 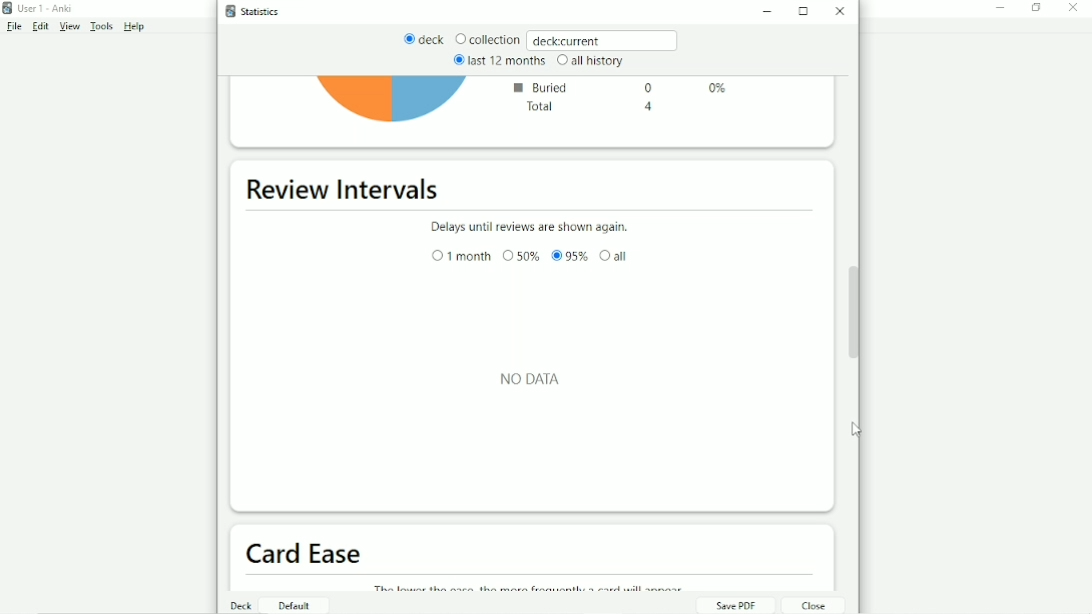 What do you see at coordinates (604, 39) in the screenshot?
I see `deck:current` at bounding box center [604, 39].